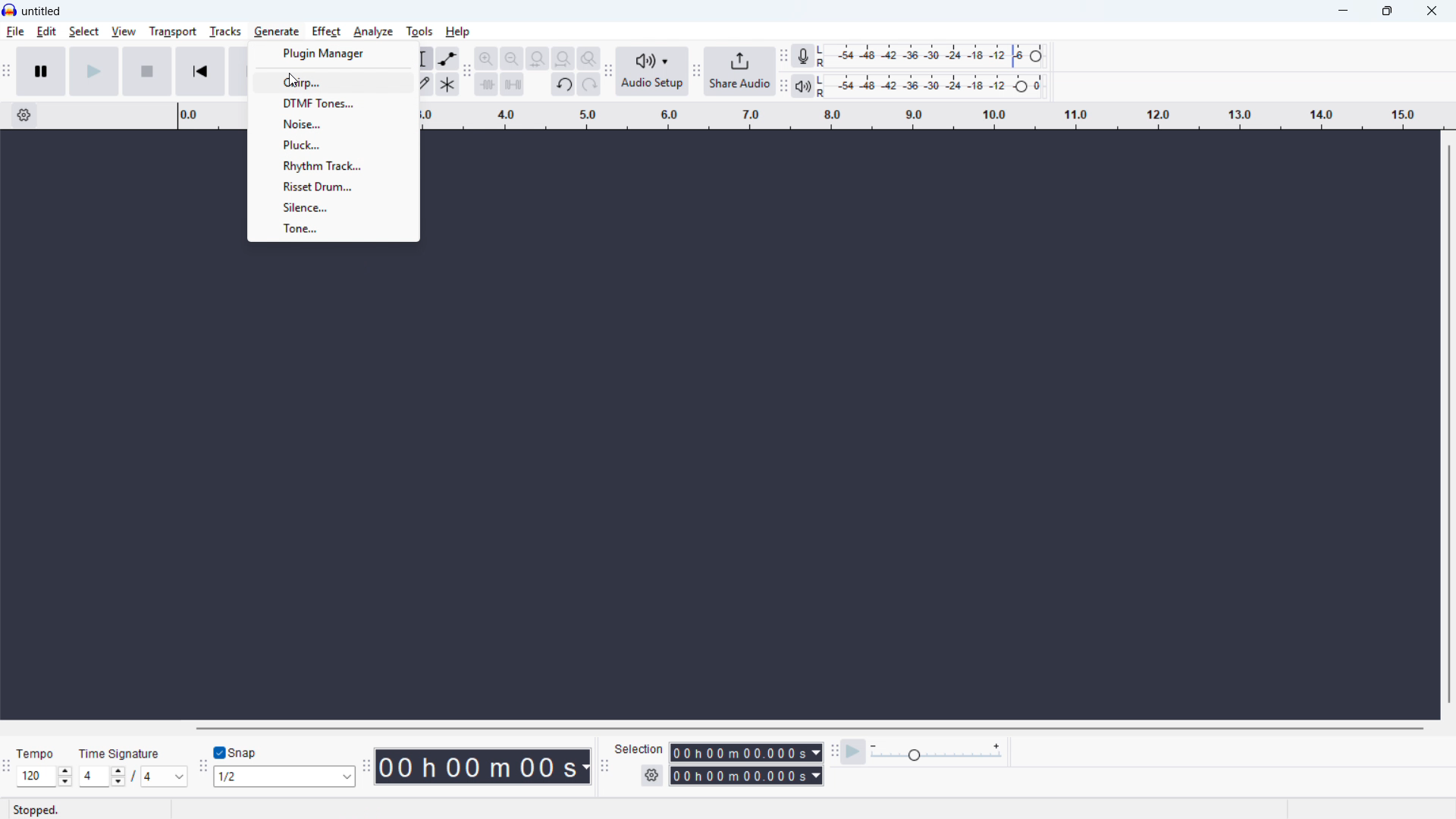  What do you see at coordinates (276, 31) in the screenshot?
I see `Generate ` at bounding box center [276, 31].